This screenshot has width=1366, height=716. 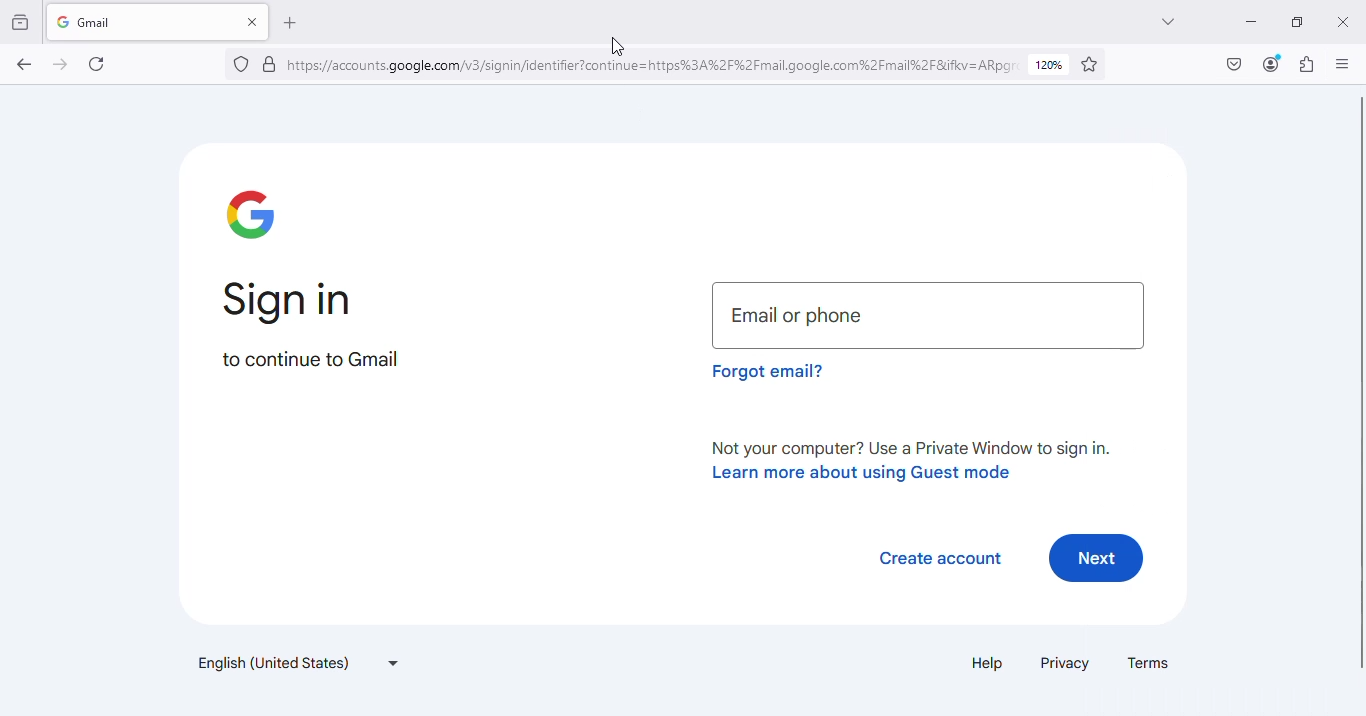 What do you see at coordinates (1307, 64) in the screenshot?
I see `extensions` at bounding box center [1307, 64].